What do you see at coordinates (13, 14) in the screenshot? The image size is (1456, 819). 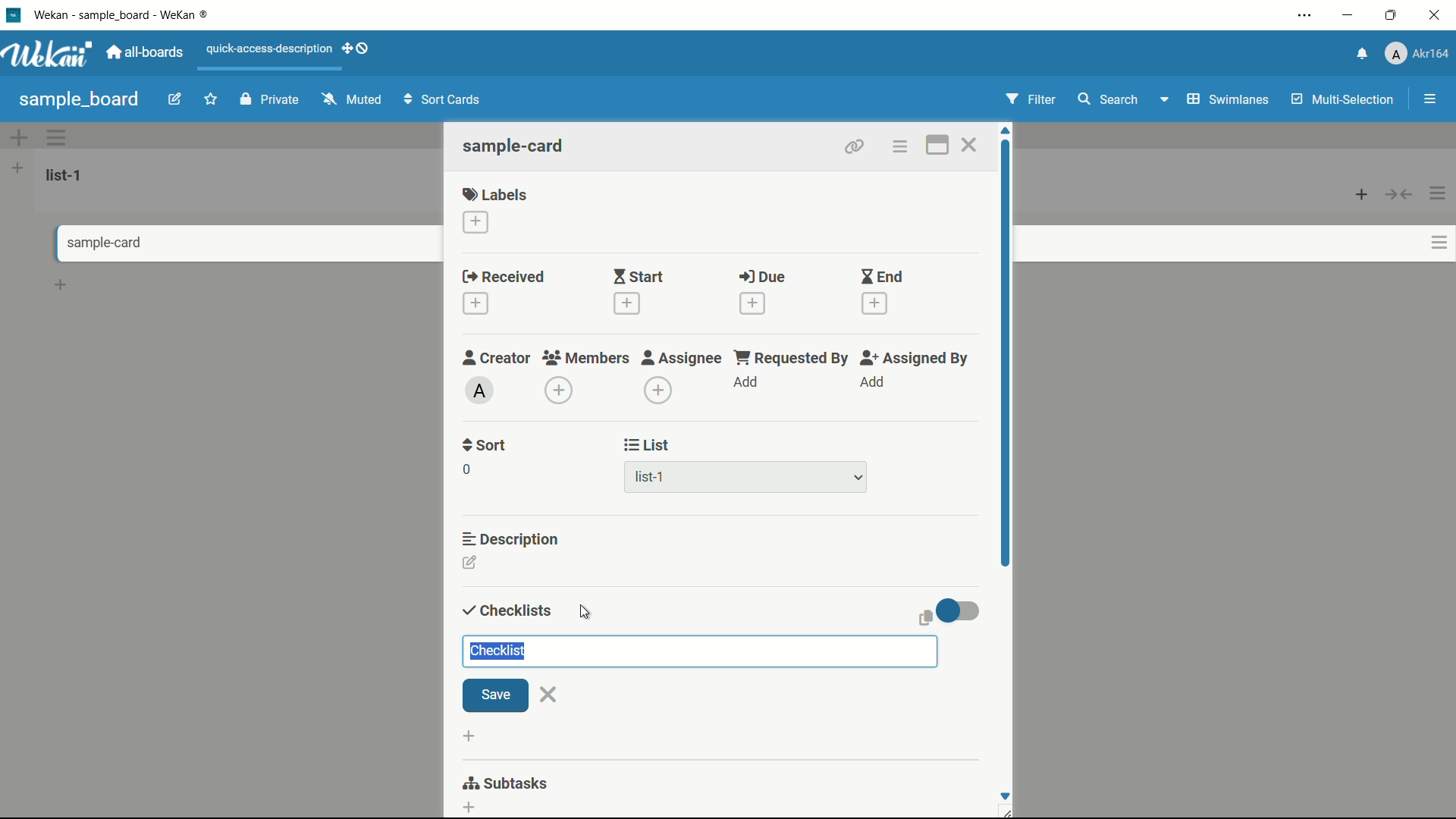 I see `app icon` at bounding box center [13, 14].